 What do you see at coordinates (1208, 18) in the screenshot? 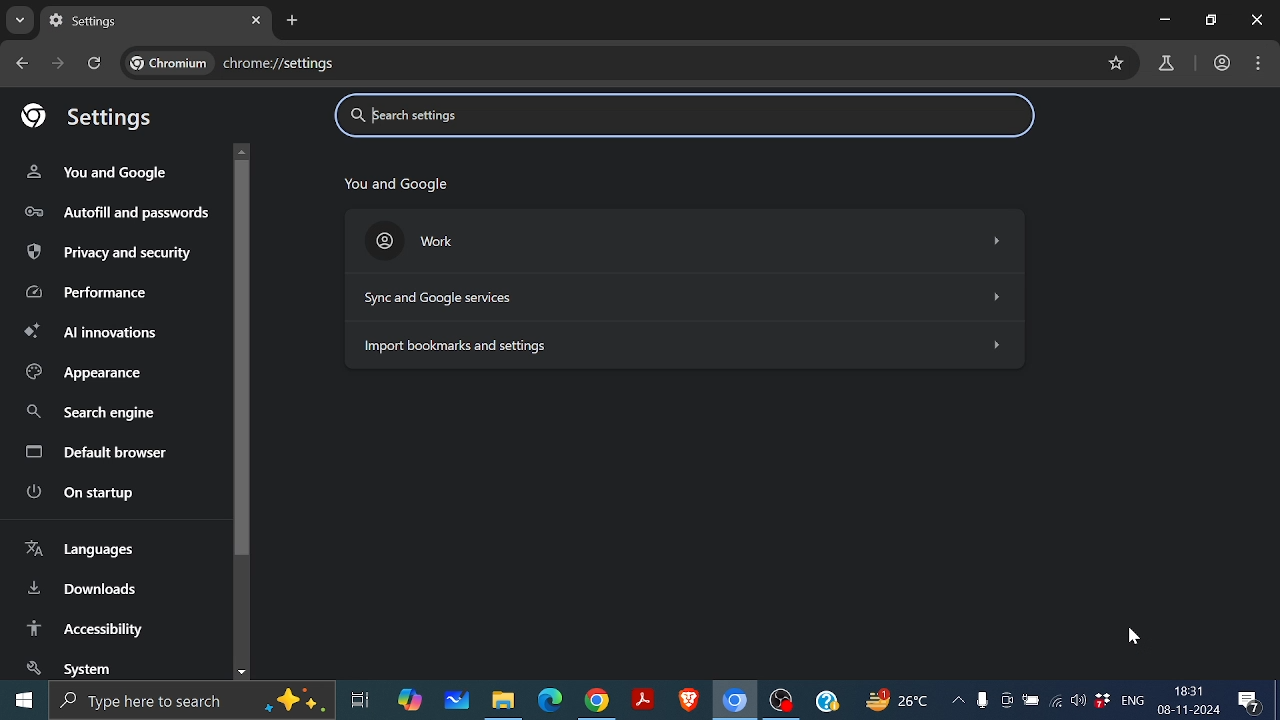
I see `` at bounding box center [1208, 18].